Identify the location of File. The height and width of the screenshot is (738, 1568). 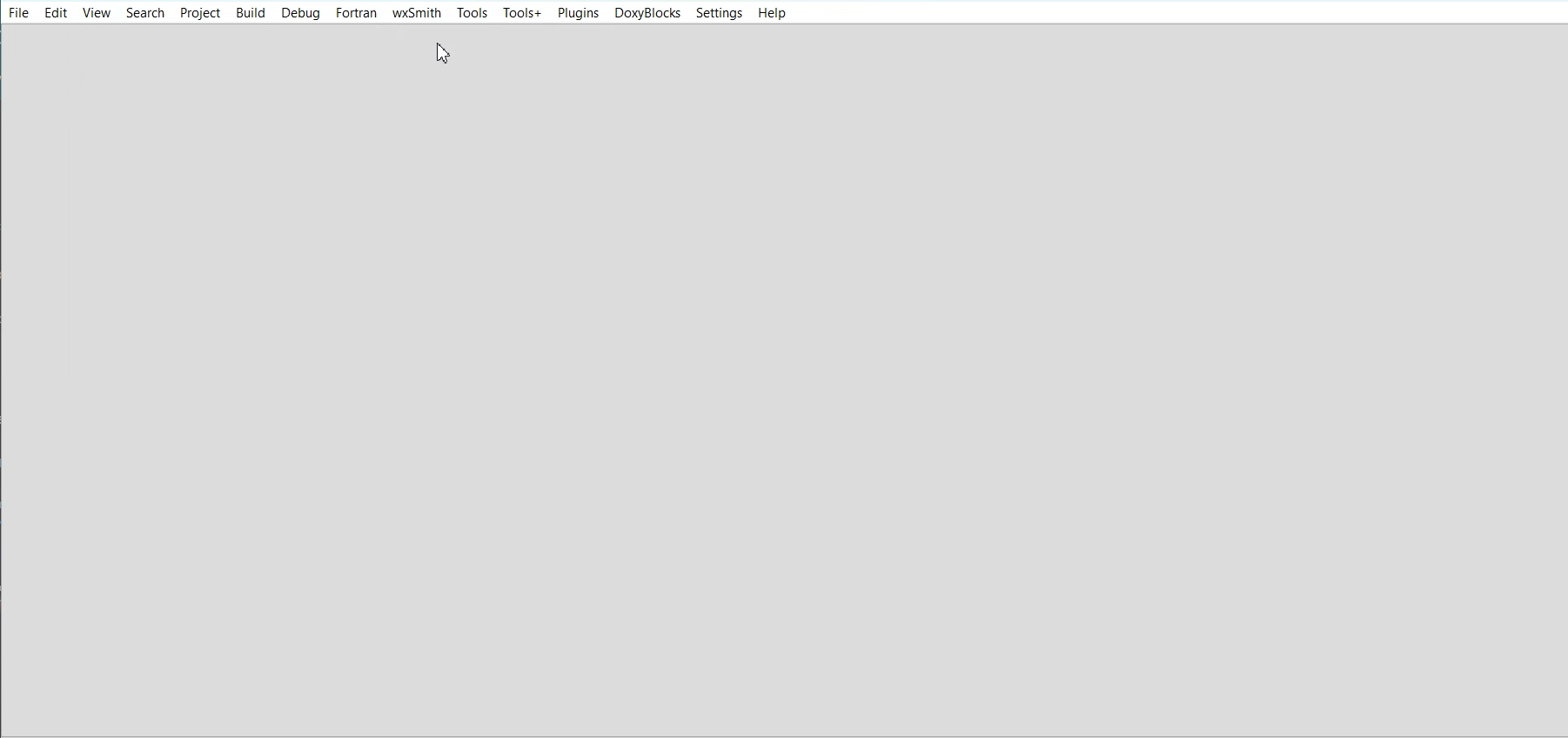
(19, 11).